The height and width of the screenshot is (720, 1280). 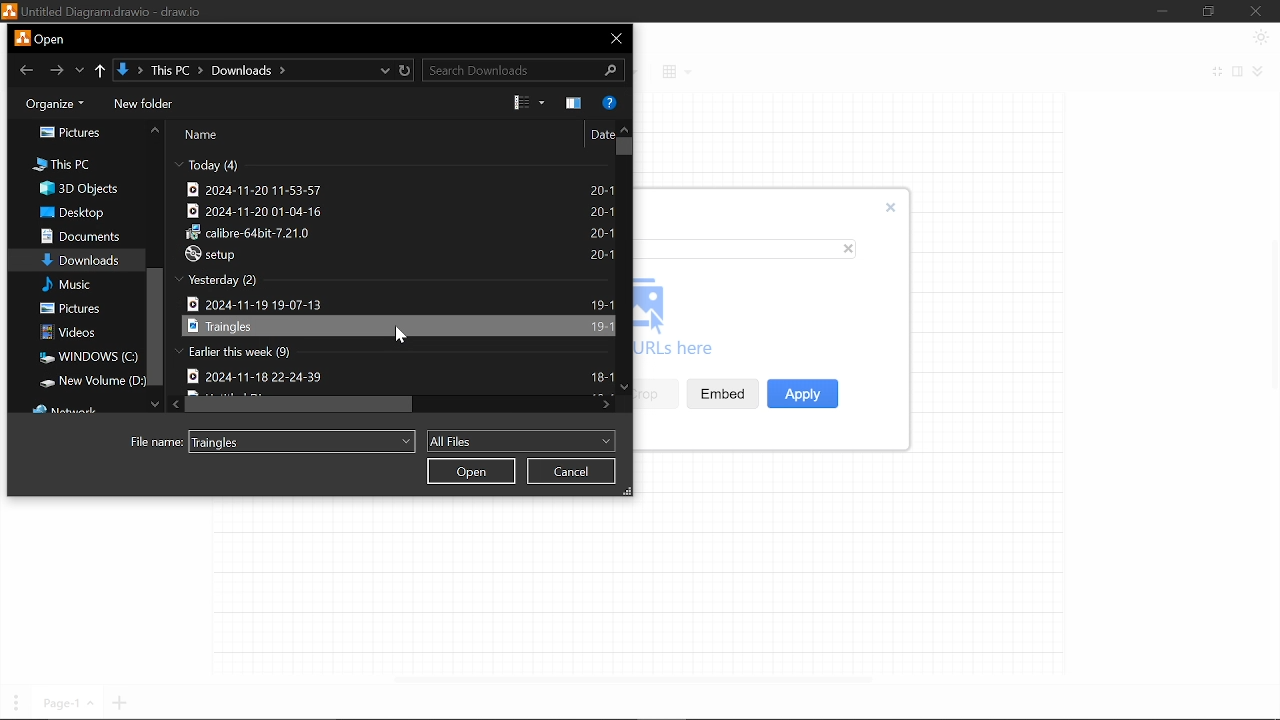 I want to click on Move right in files in "Downloads", so click(x=604, y=404).